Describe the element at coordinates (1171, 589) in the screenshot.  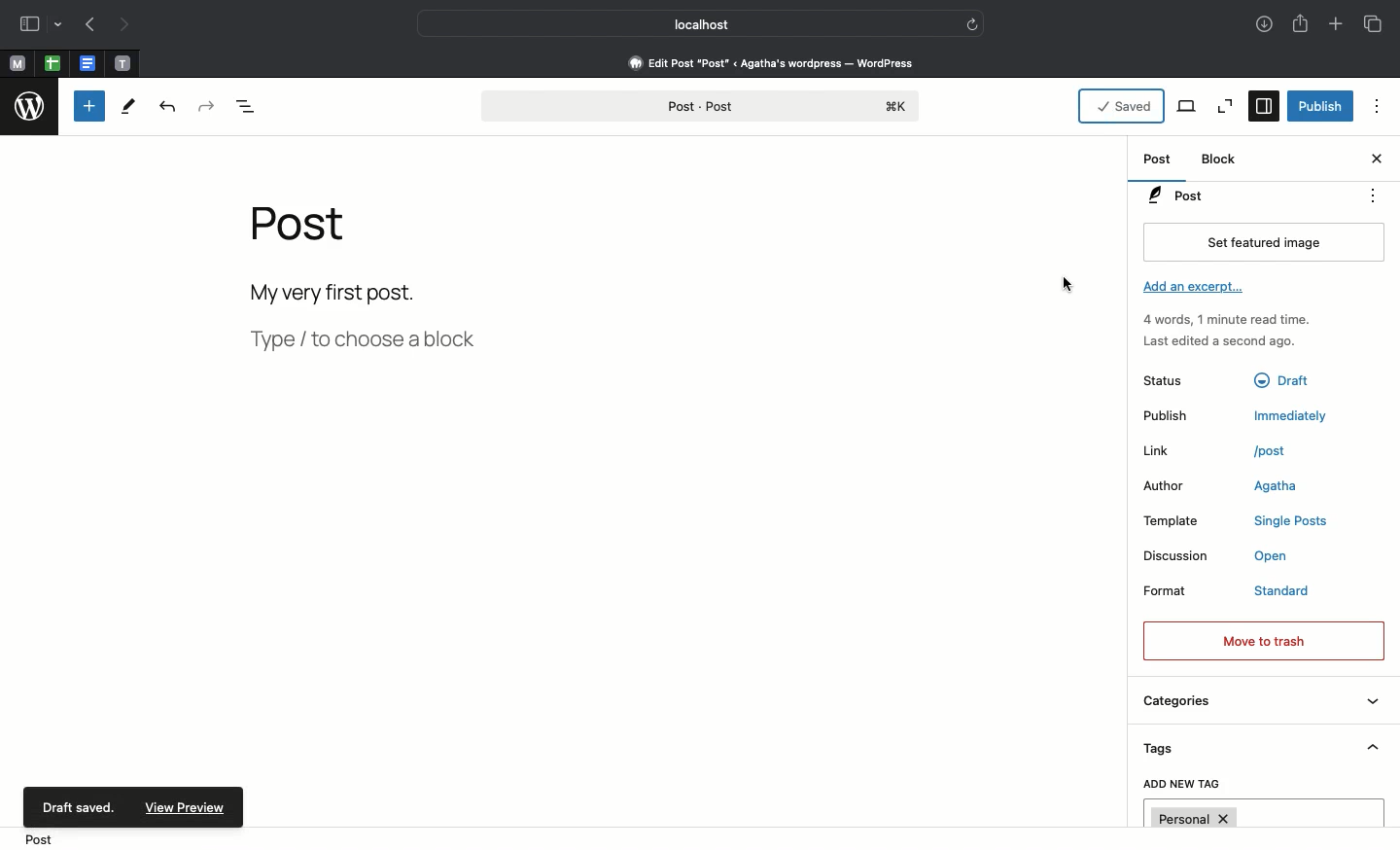
I see `Format` at that location.